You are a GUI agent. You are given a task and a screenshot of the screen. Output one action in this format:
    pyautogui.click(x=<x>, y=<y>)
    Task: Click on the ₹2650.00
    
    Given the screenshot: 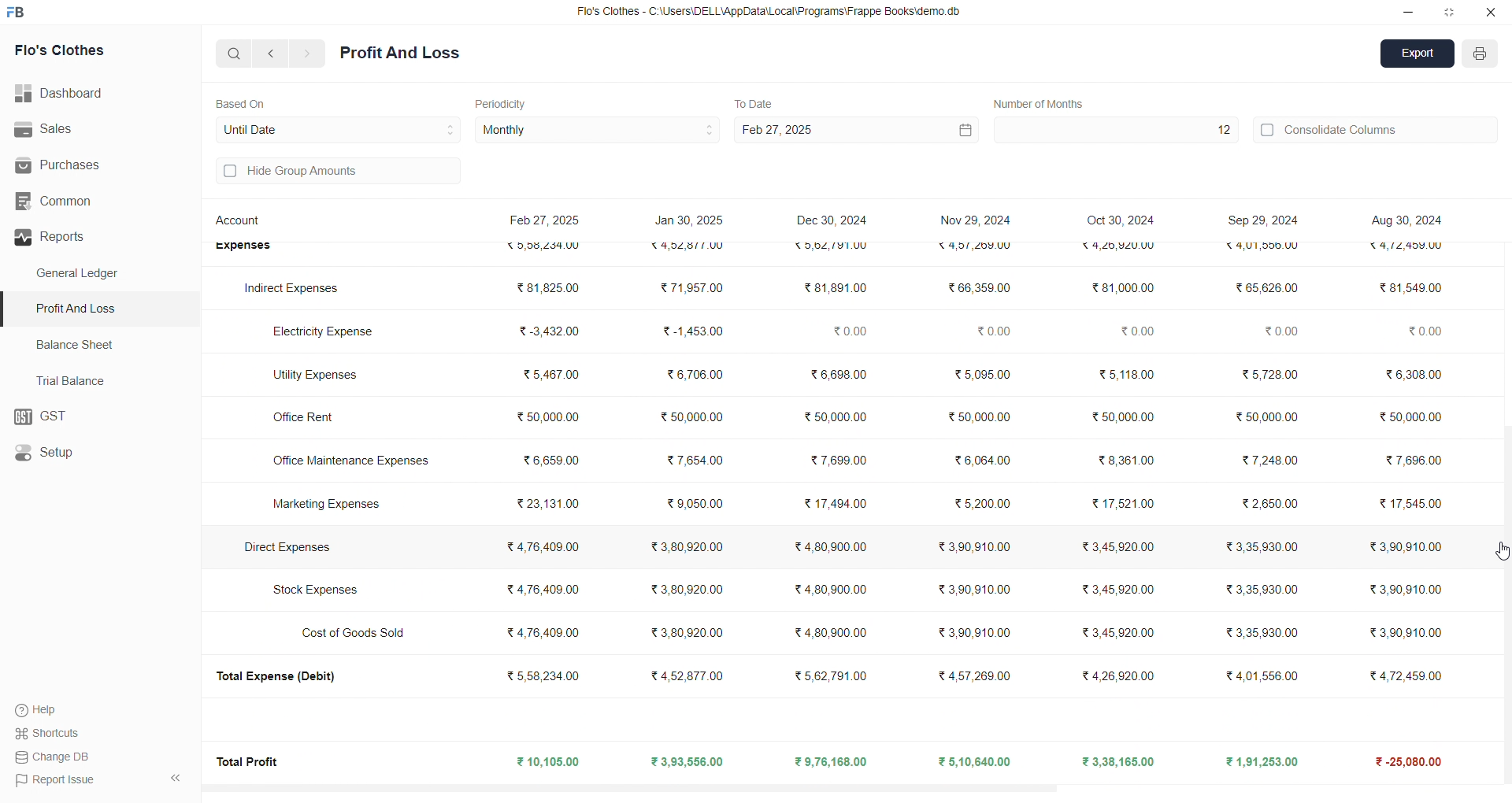 What is the action you would take?
    pyautogui.click(x=1268, y=504)
    